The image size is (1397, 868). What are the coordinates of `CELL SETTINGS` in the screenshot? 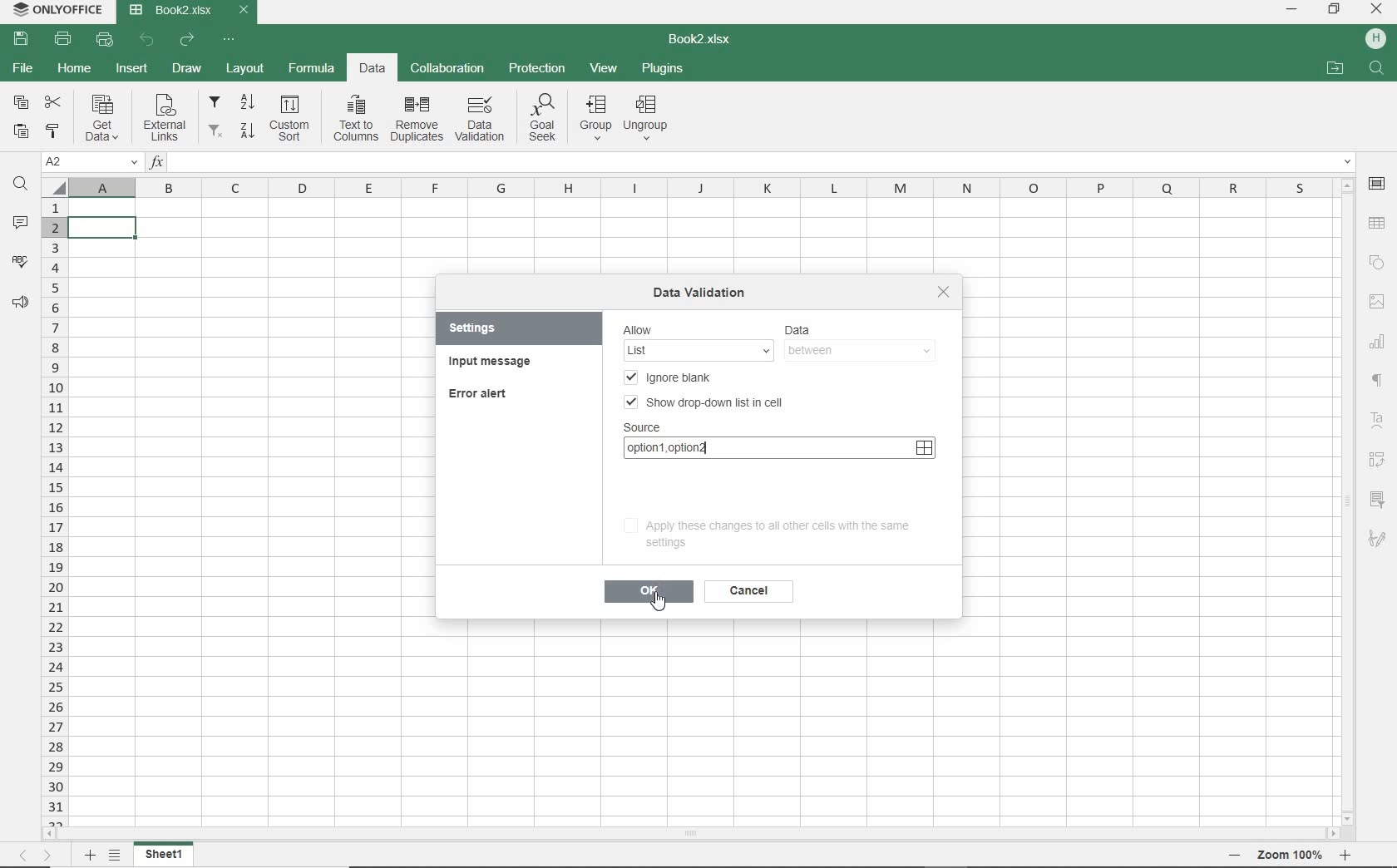 It's located at (1377, 184).